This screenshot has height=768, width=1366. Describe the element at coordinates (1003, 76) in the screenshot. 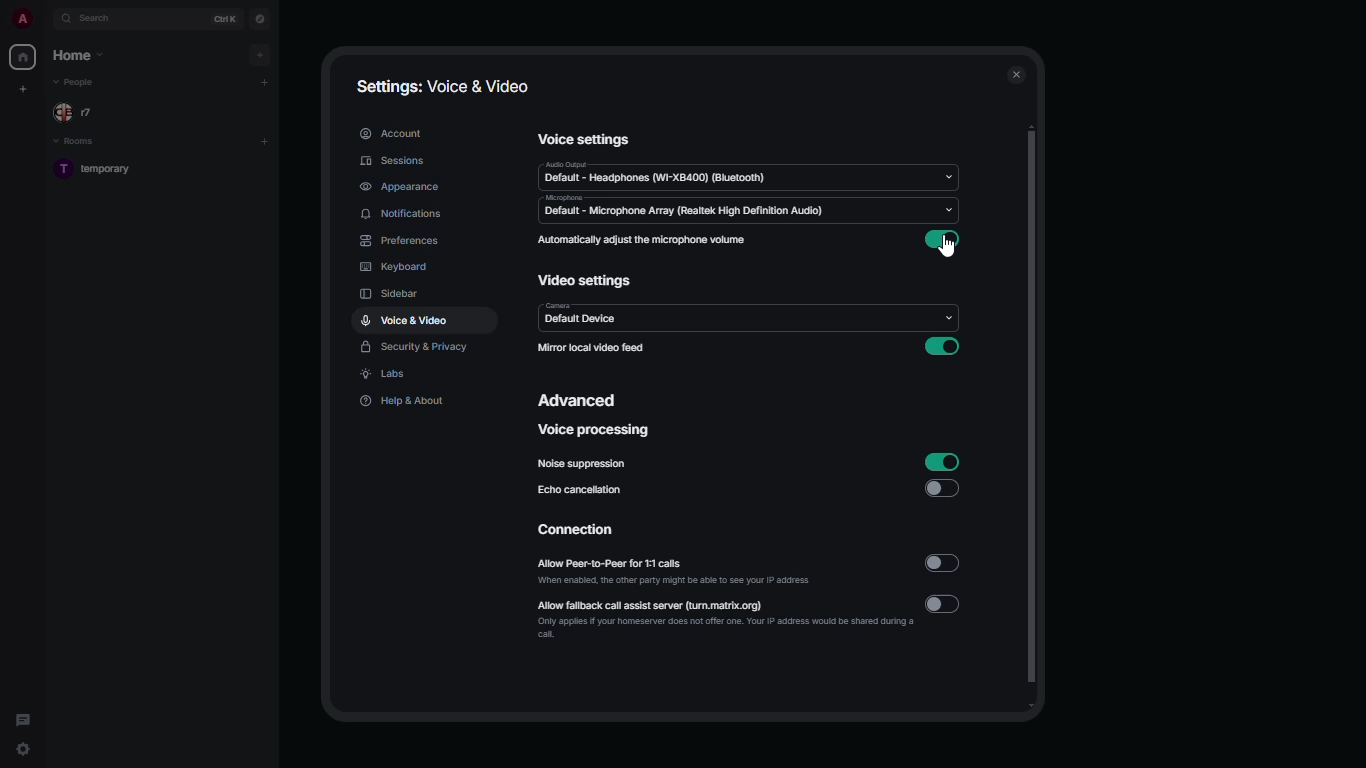

I see `close` at that location.